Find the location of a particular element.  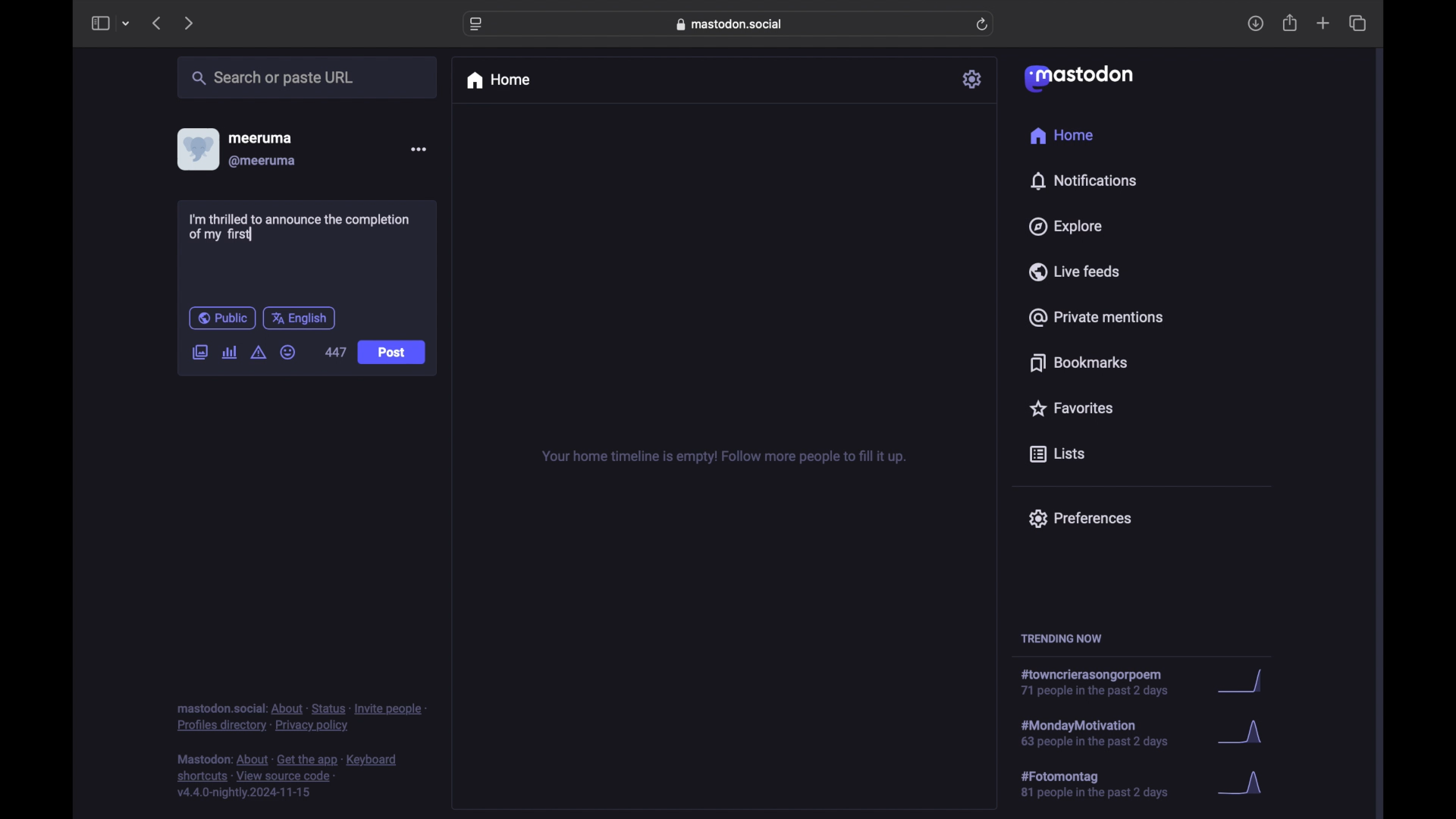

next is located at coordinates (188, 24).